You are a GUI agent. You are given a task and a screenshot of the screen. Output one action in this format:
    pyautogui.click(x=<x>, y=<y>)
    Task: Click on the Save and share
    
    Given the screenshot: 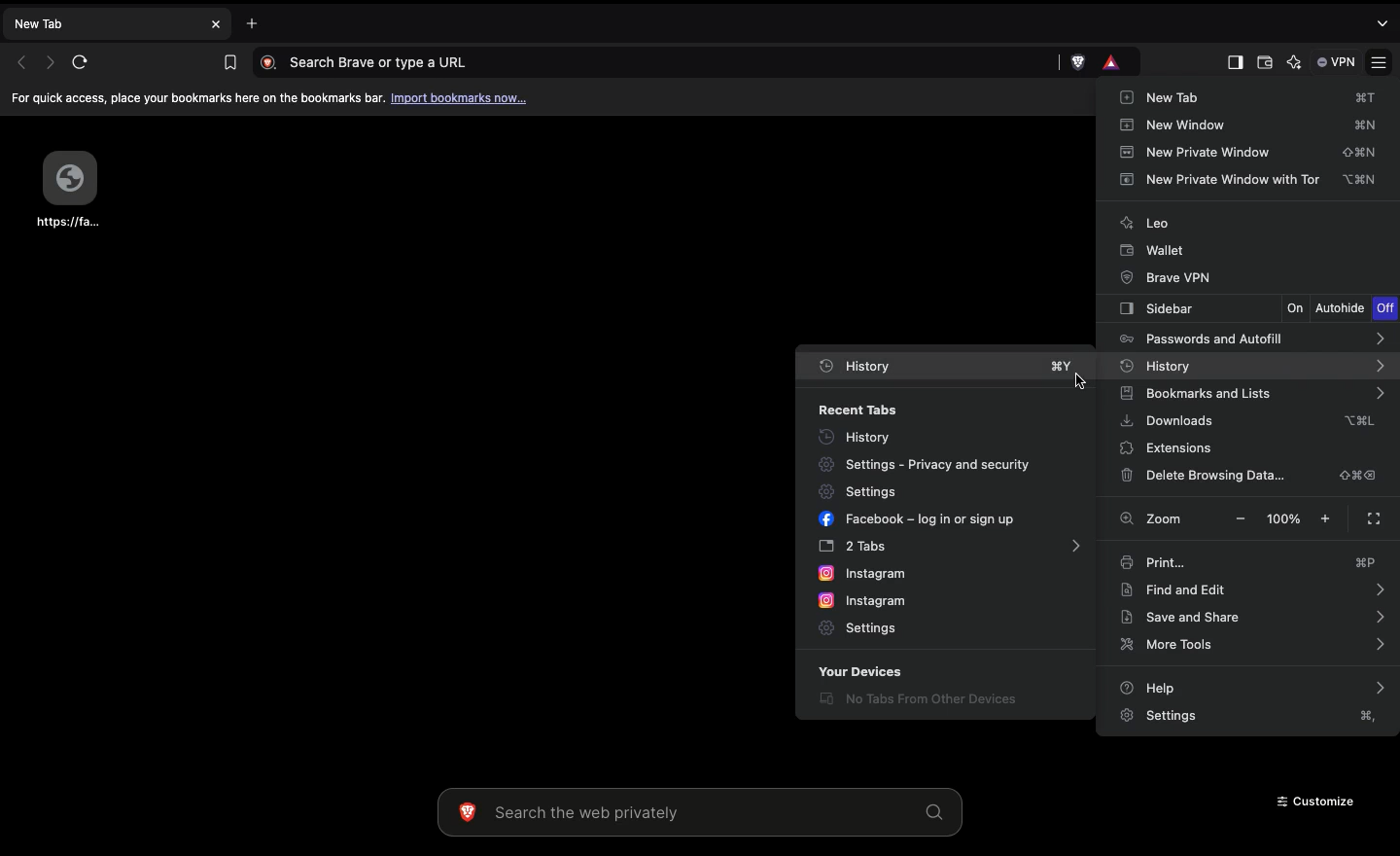 What is the action you would take?
    pyautogui.click(x=1252, y=617)
    